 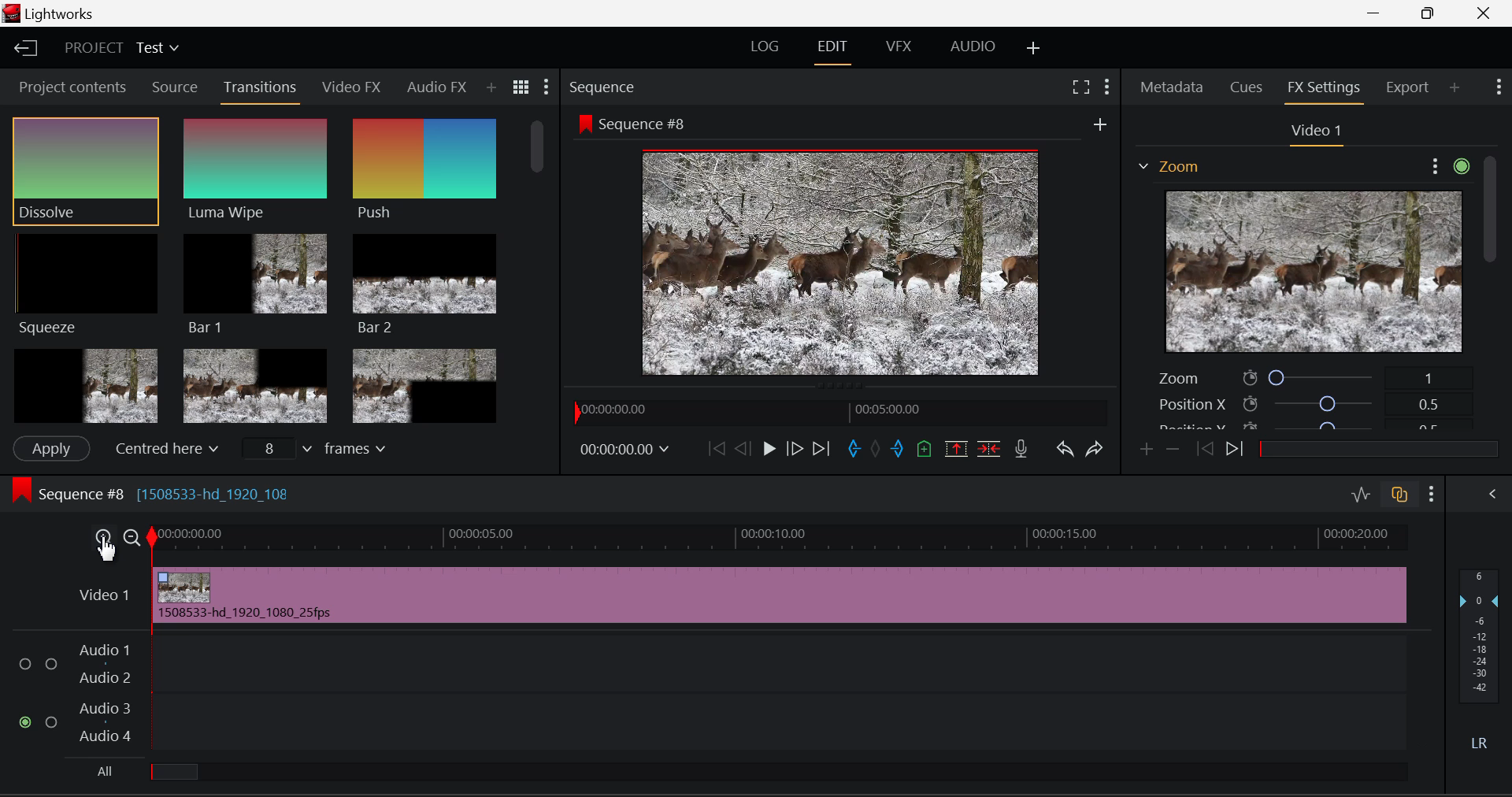 What do you see at coordinates (1490, 295) in the screenshot?
I see `Scroll Bar` at bounding box center [1490, 295].